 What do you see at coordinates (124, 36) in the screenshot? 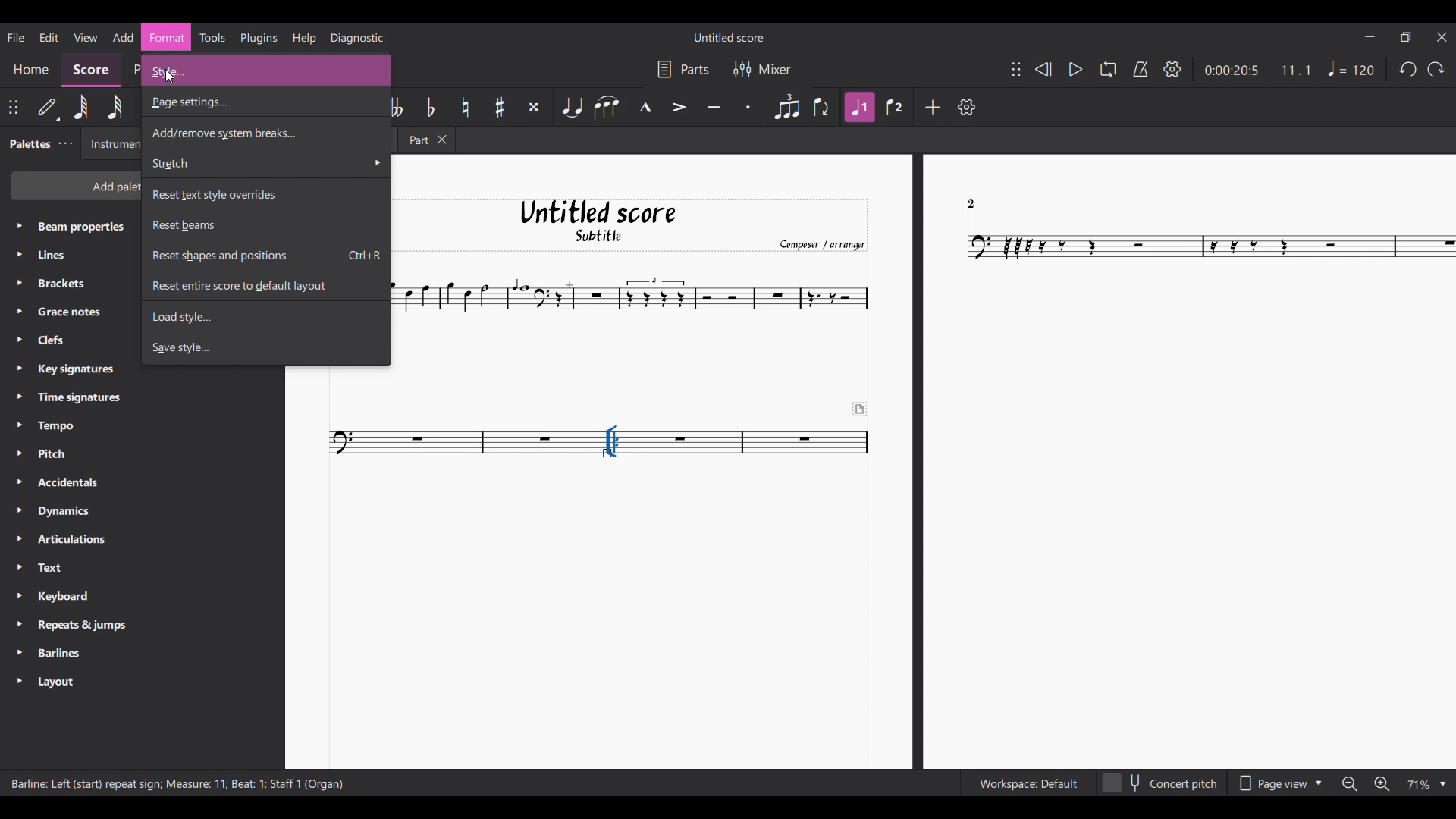
I see `Add menu` at bounding box center [124, 36].